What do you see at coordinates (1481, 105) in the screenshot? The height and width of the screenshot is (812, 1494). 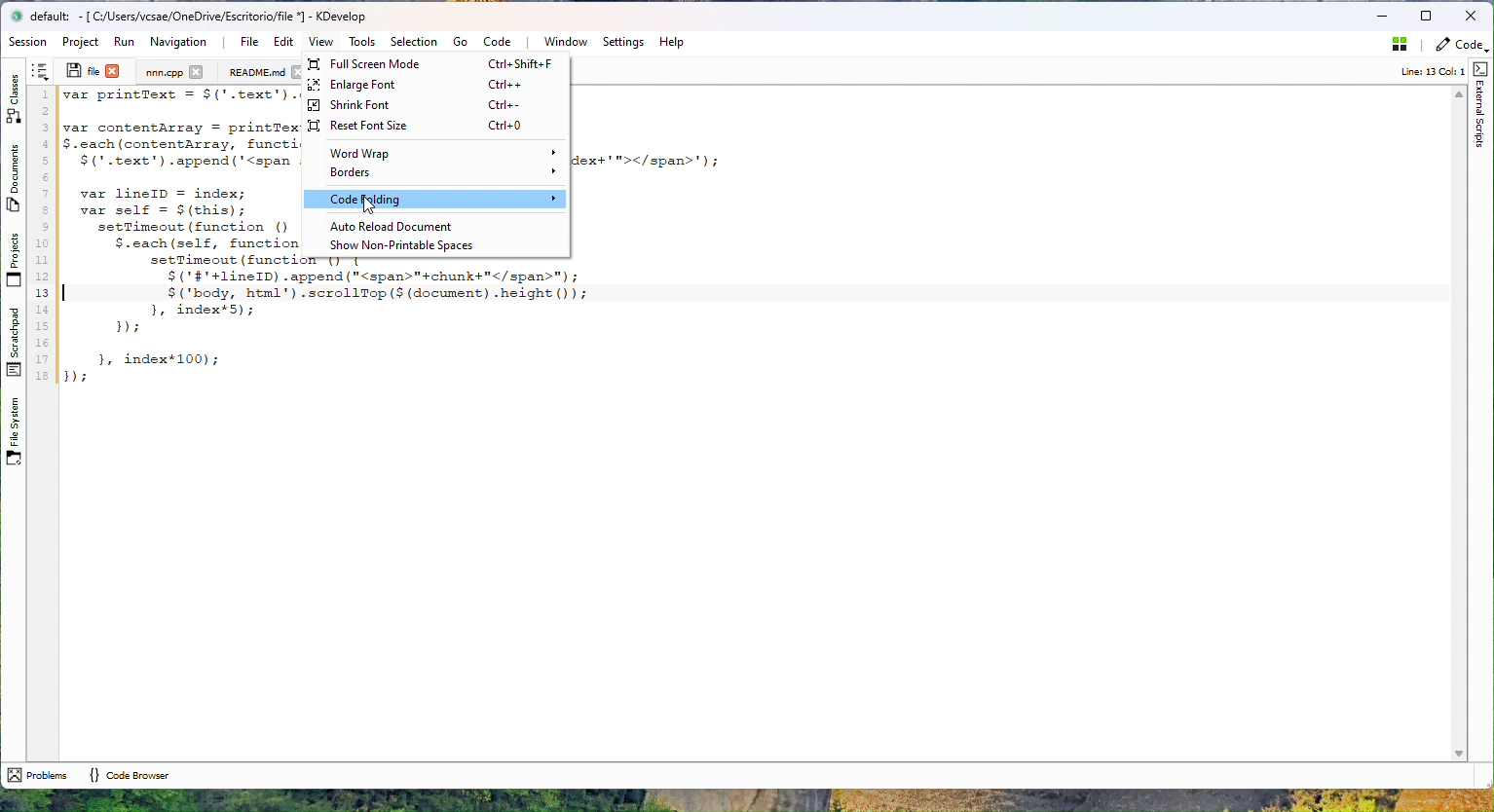 I see `External scripts` at bounding box center [1481, 105].